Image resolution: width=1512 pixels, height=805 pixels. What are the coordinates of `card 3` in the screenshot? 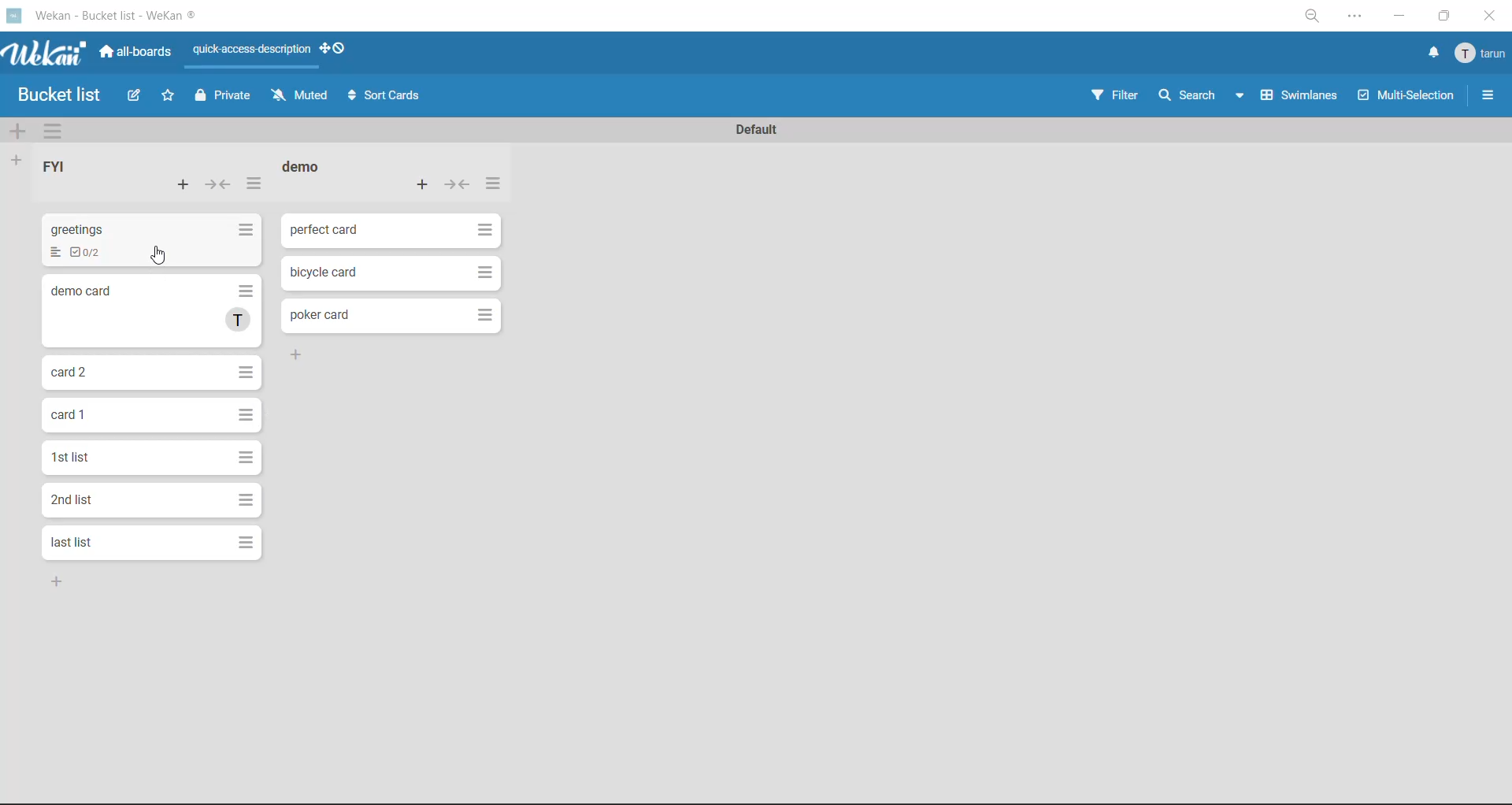 It's located at (387, 317).